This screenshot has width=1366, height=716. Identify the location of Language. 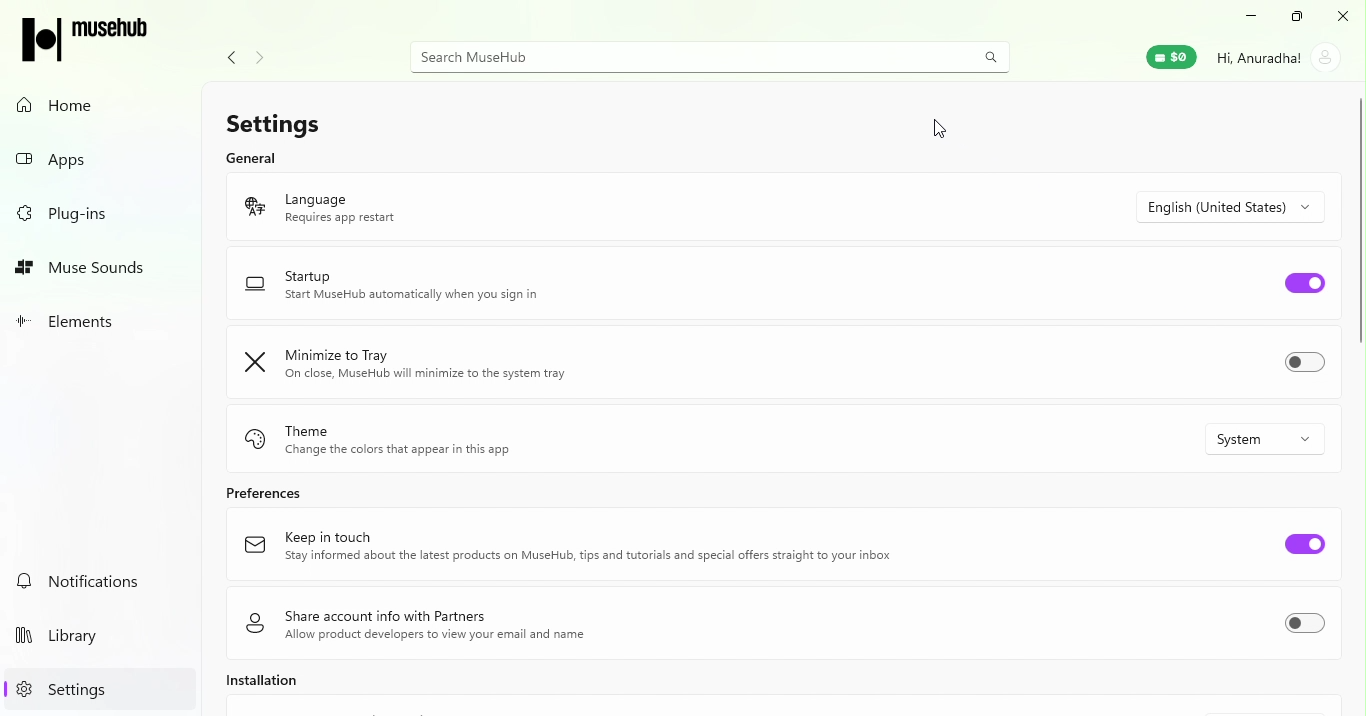
(404, 213).